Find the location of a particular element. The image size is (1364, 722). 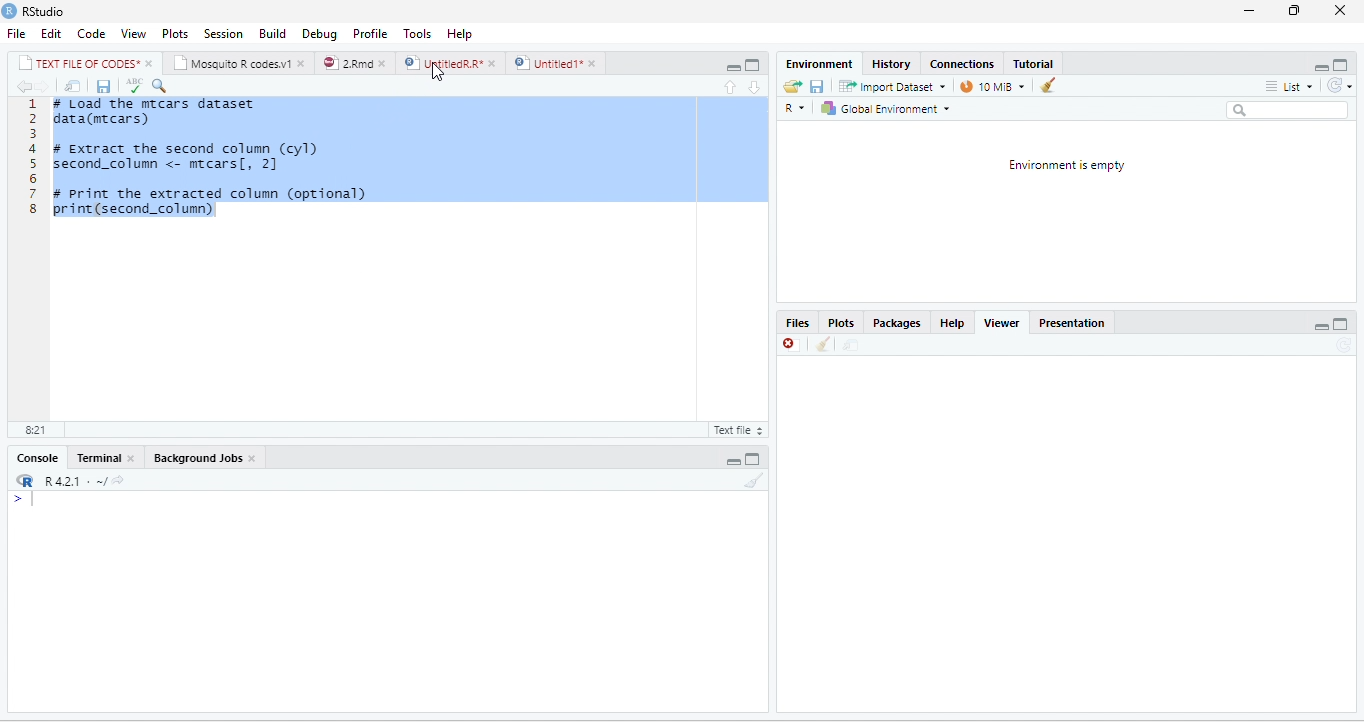

close is located at coordinates (150, 62).